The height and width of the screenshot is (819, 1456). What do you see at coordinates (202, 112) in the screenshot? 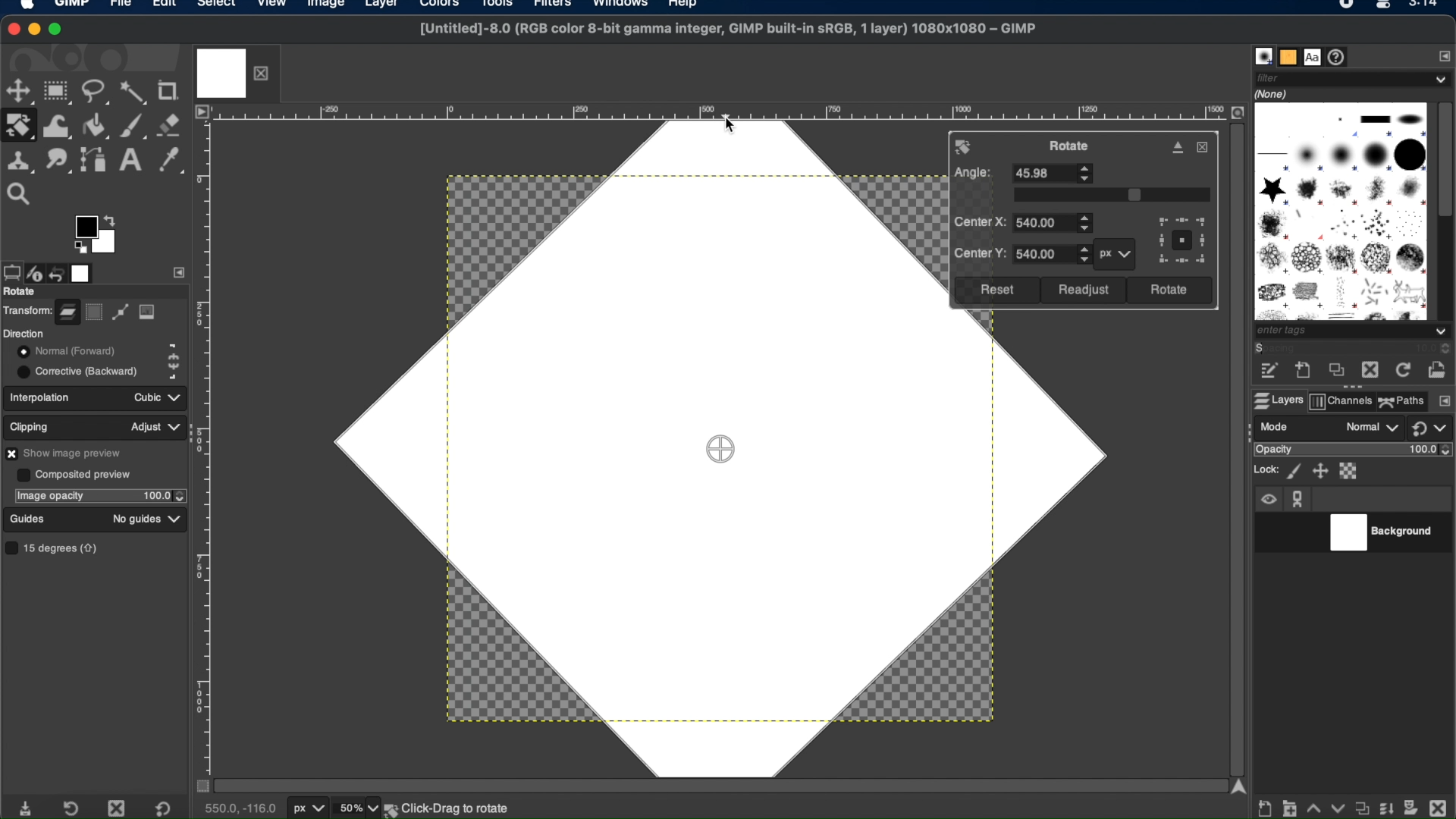
I see `access image menu` at bounding box center [202, 112].